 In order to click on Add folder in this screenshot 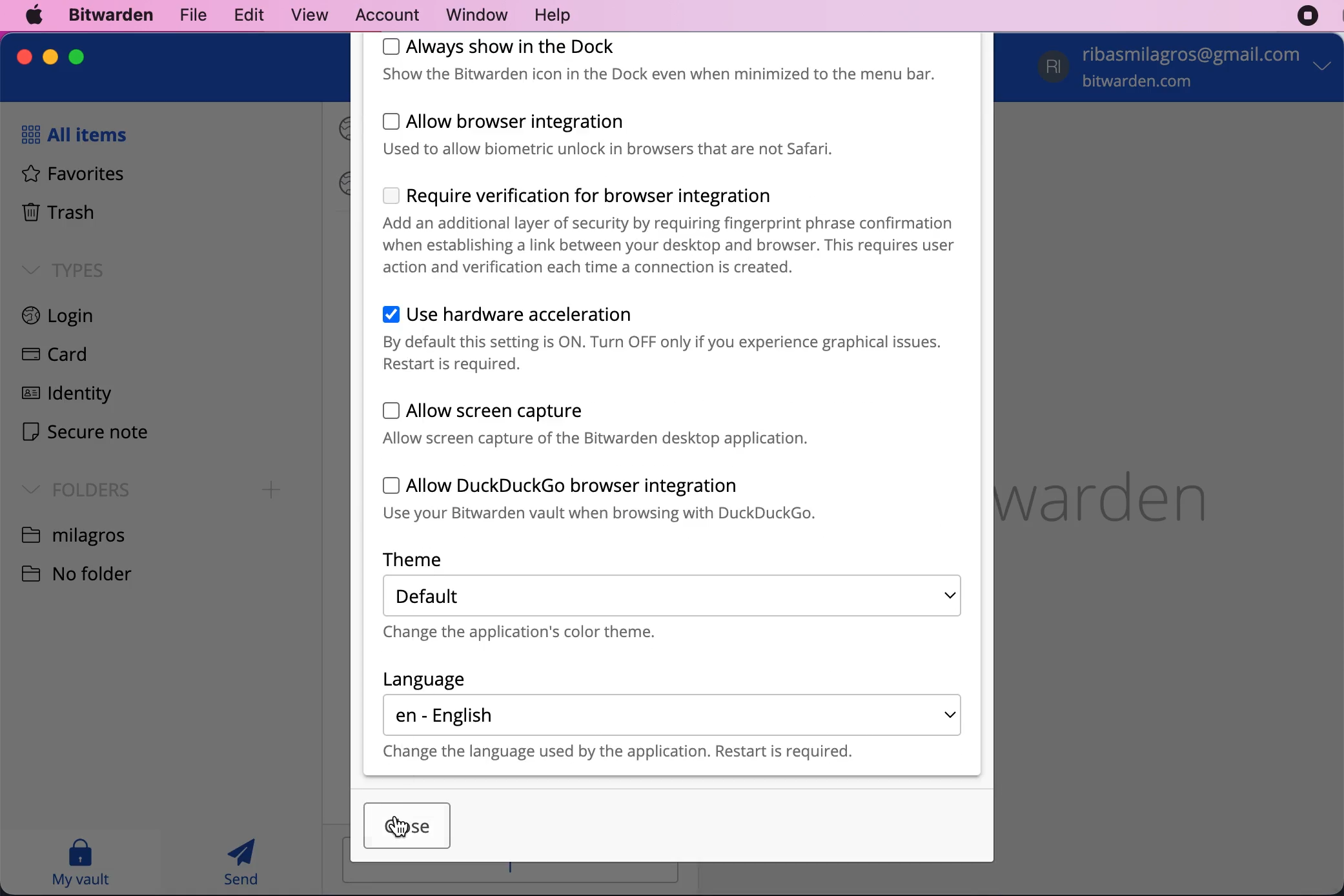, I will do `click(272, 490)`.